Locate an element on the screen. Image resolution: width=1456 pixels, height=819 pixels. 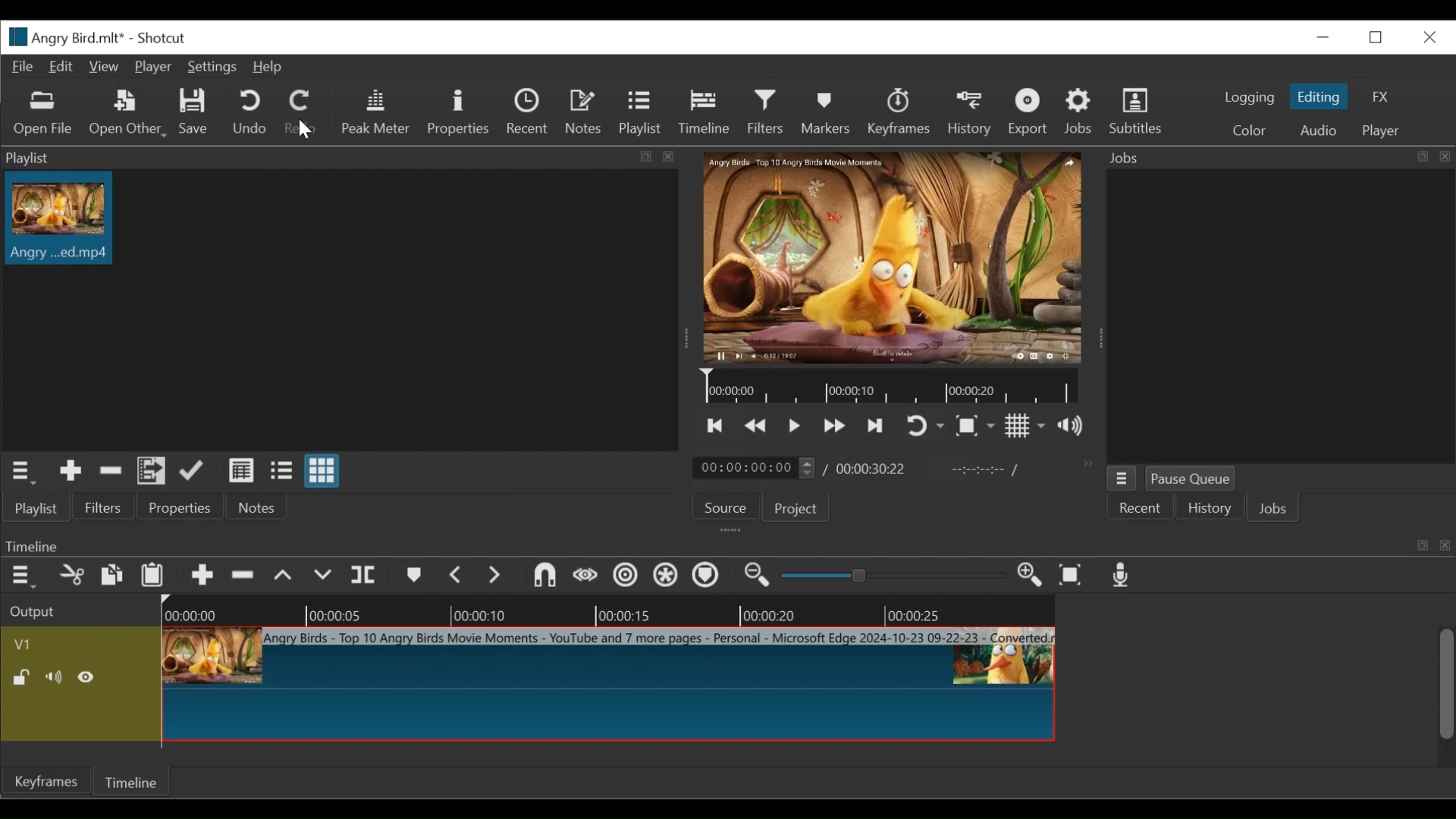
Remove cut is located at coordinates (72, 577).